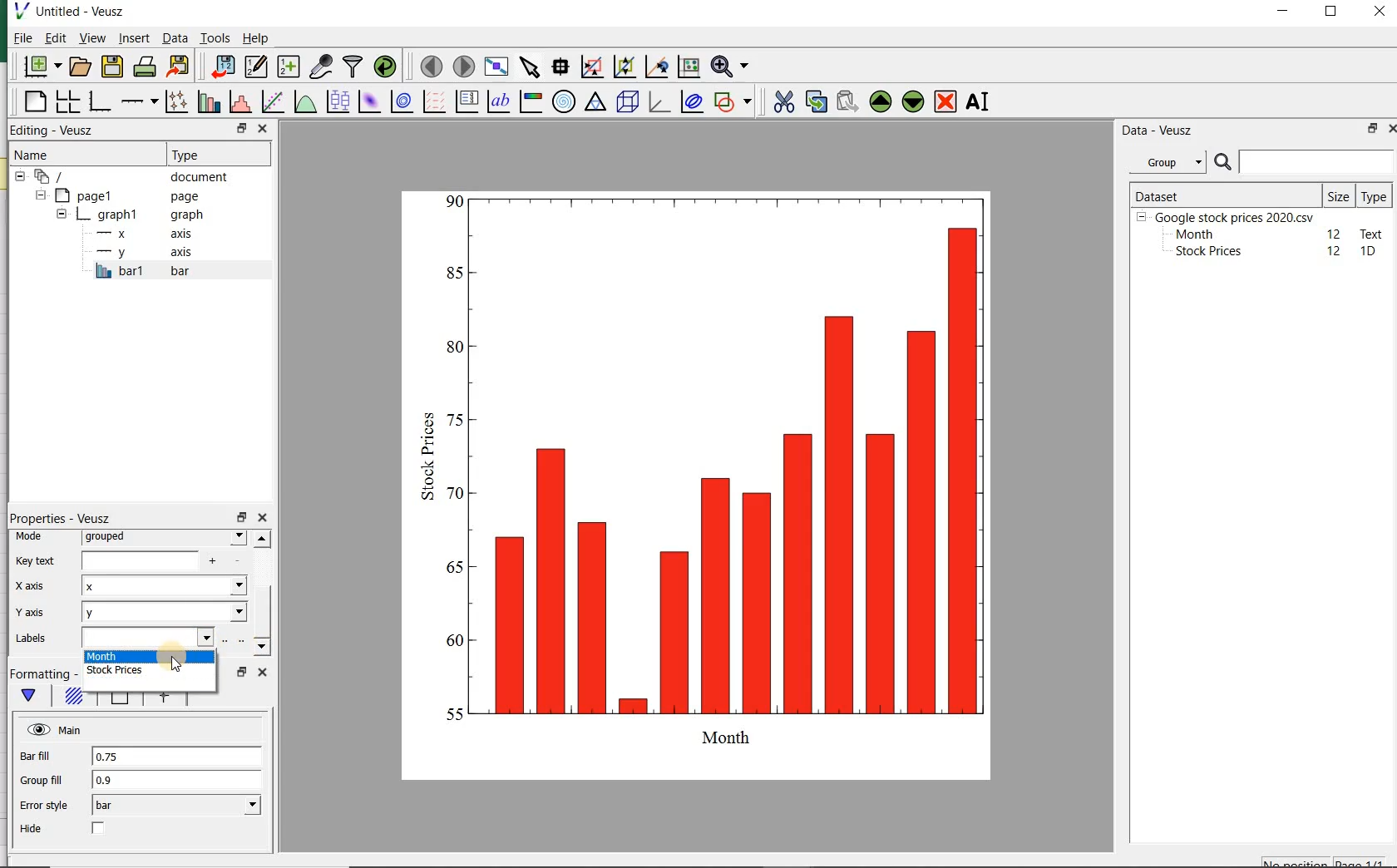  What do you see at coordinates (74, 699) in the screenshot?
I see `Fill` at bounding box center [74, 699].